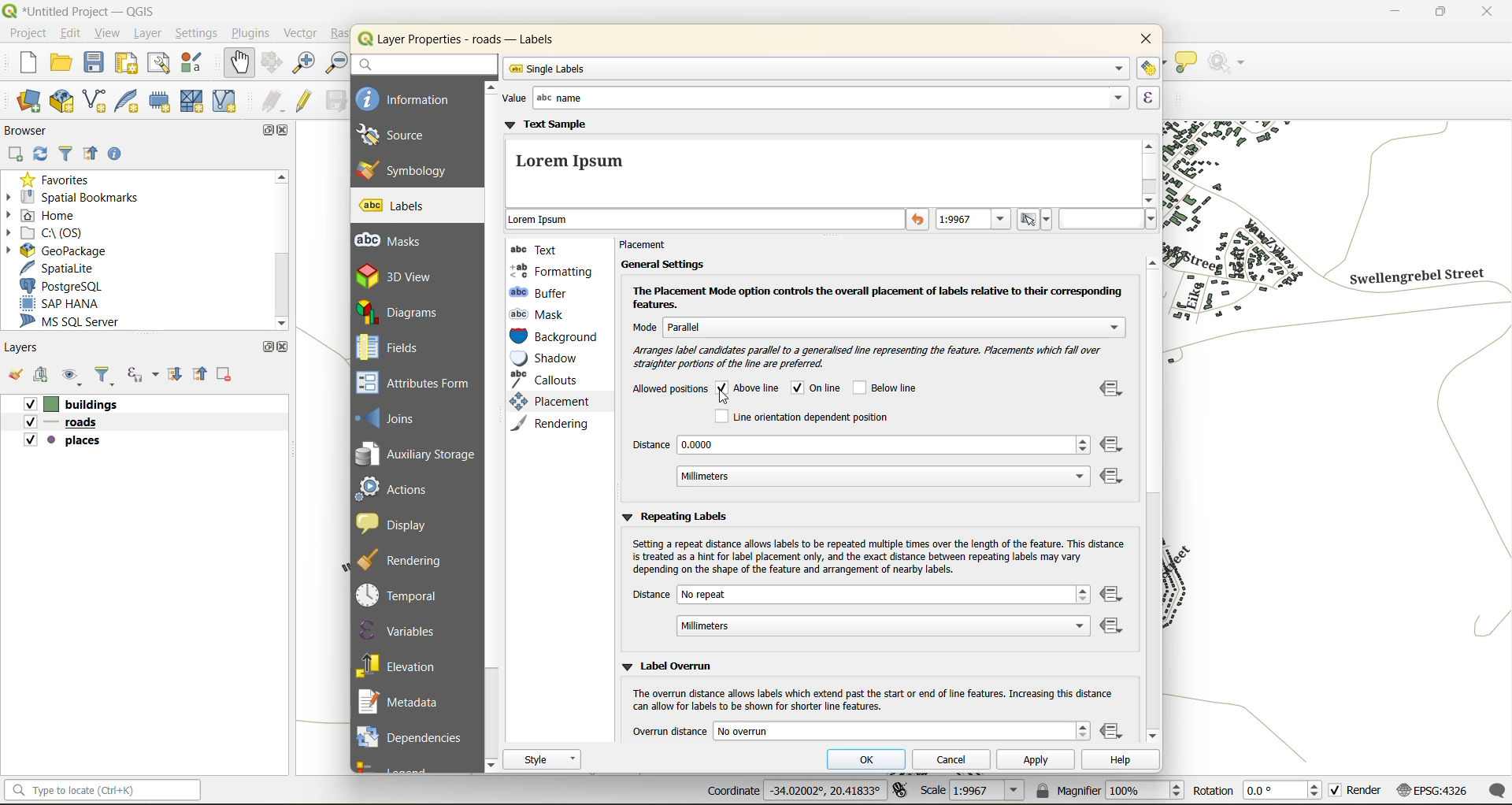 This screenshot has width=1512, height=805. What do you see at coordinates (1038, 763) in the screenshot?
I see `apply` at bounding box center [1038, 763].